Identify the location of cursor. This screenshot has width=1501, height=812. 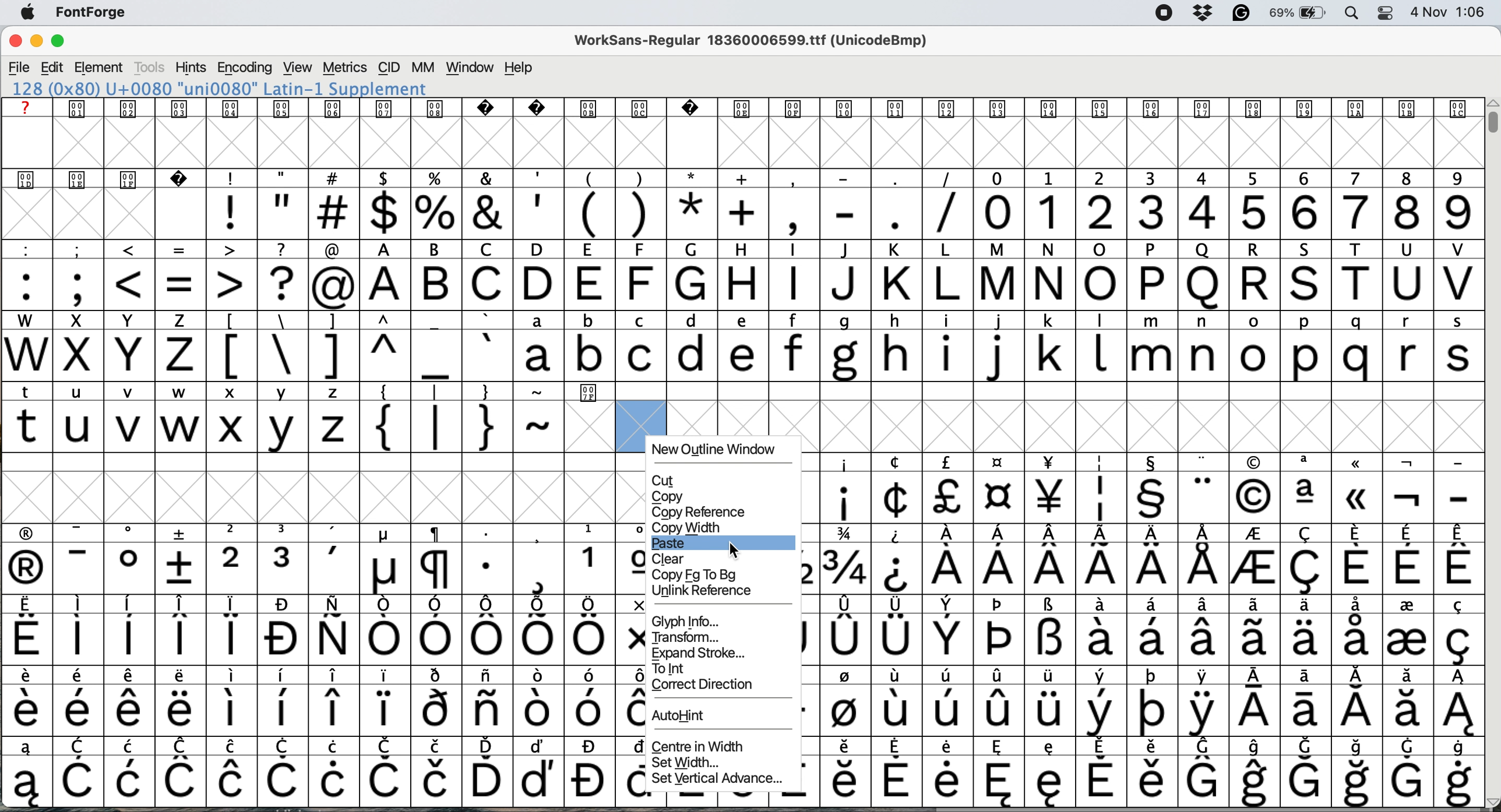
(735, 550).